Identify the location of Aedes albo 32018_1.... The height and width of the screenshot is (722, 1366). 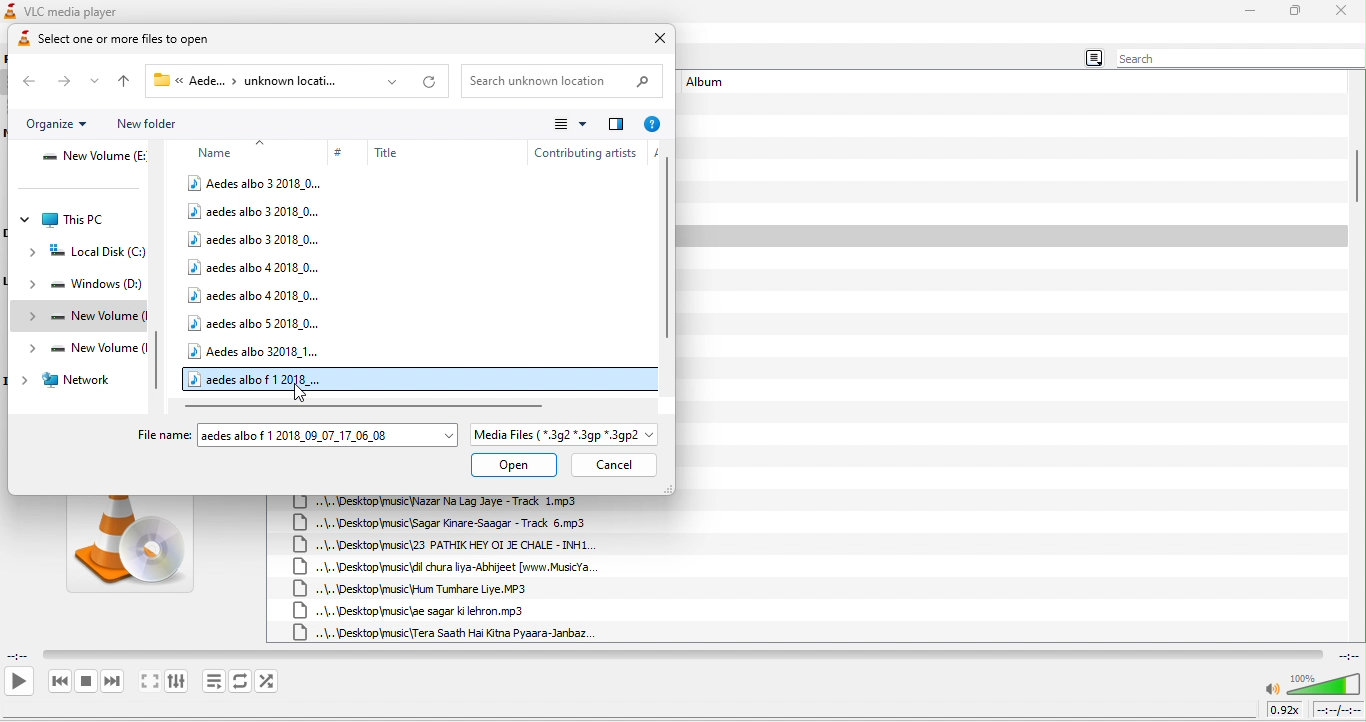
(256, 349).